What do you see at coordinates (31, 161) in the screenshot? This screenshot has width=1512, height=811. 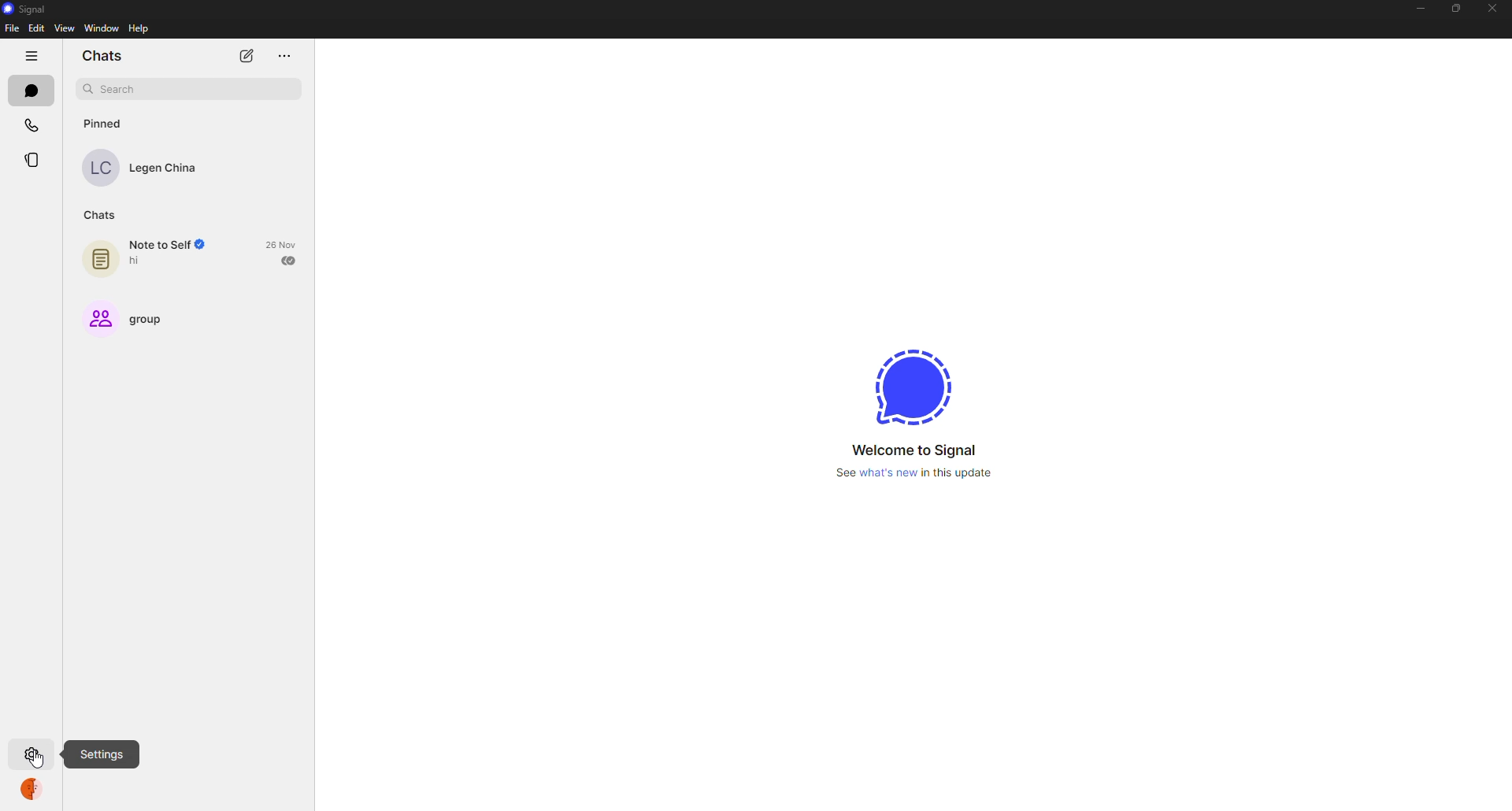 I see `stories` at bounding box center [31, 161].